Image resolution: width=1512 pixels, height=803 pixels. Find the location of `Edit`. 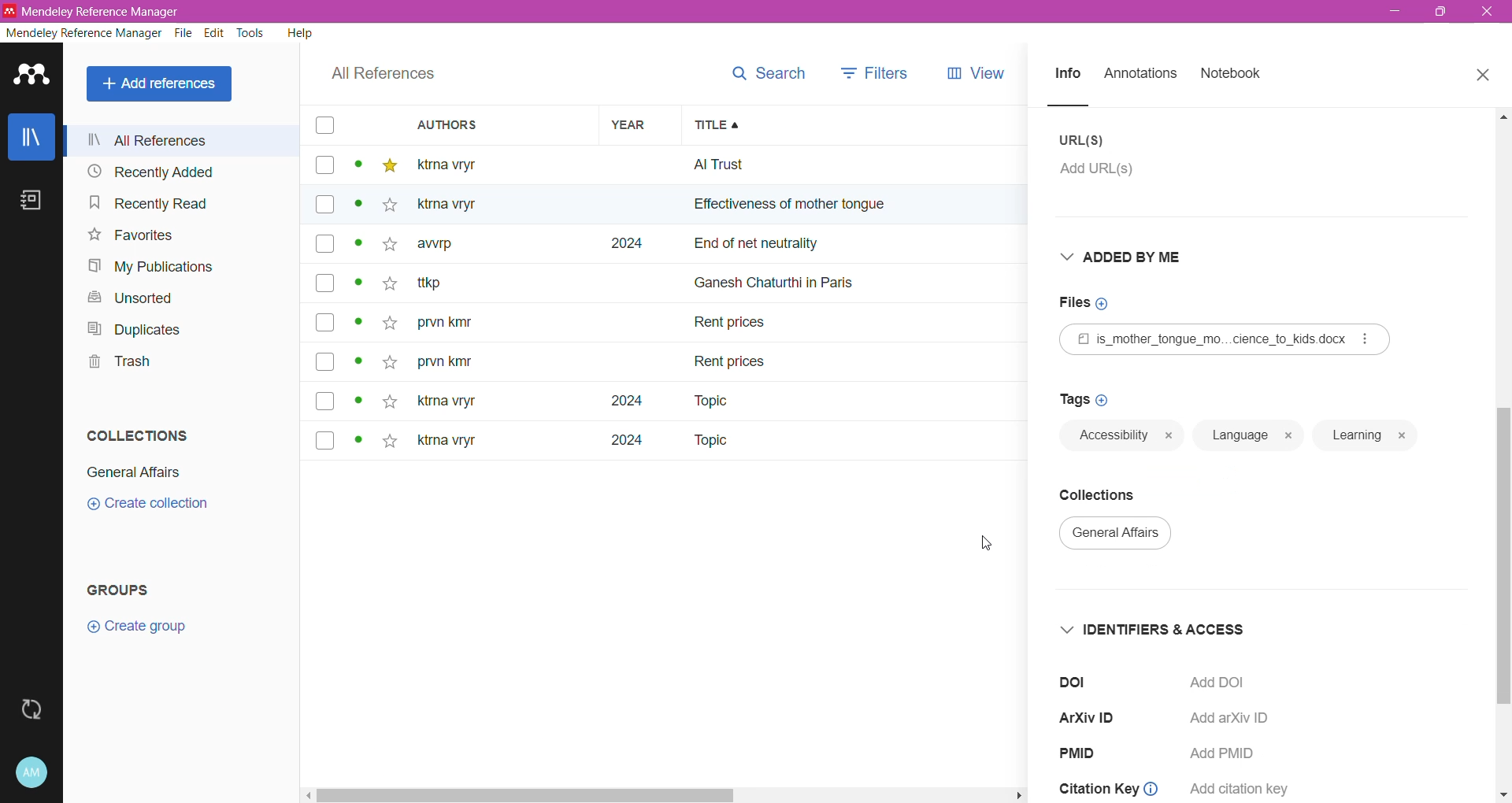

Edit is located at coordinates (216, 33).